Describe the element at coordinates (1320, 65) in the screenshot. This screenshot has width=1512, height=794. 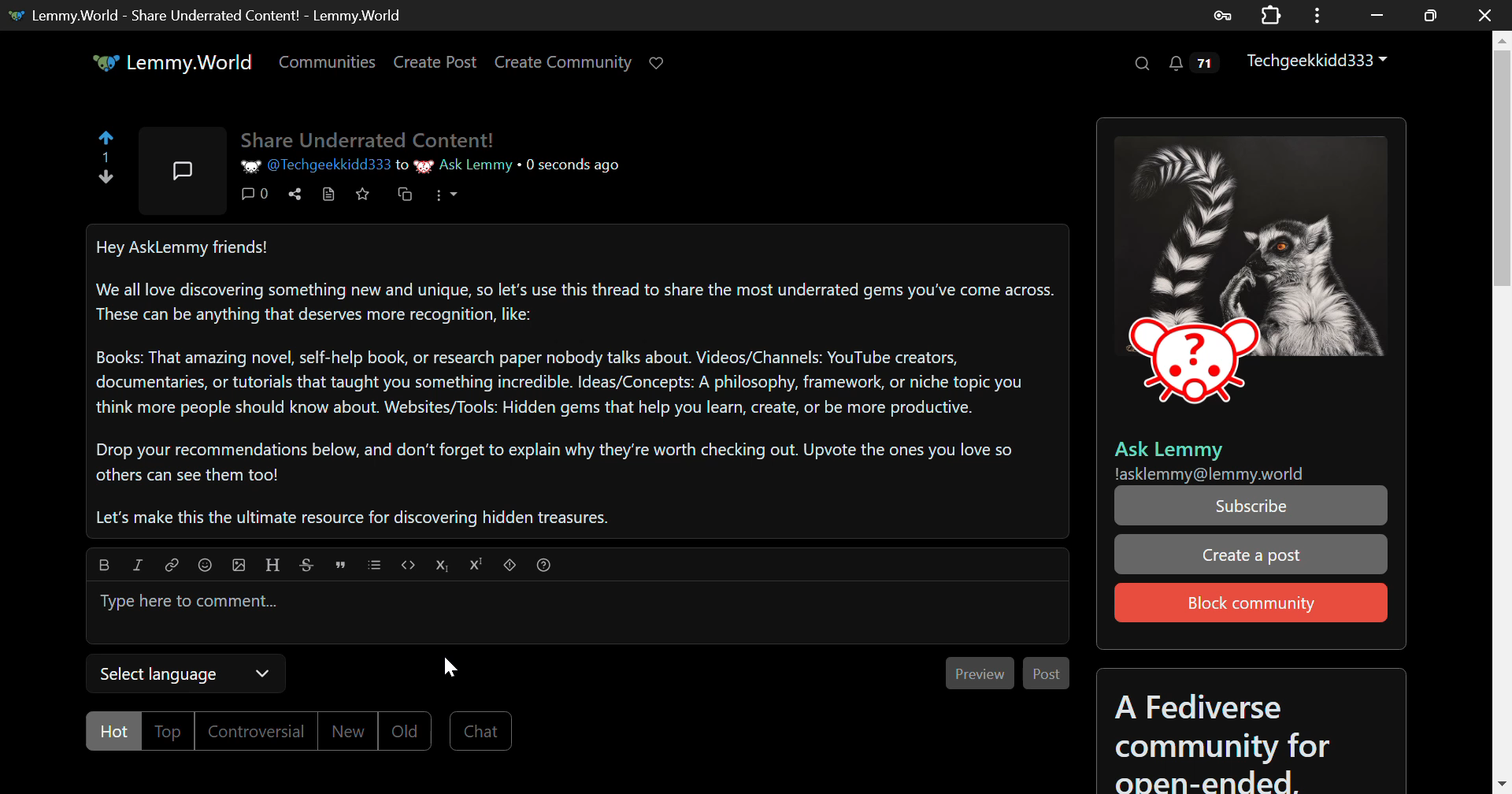
I see `Techgeekkidd333` at that location.